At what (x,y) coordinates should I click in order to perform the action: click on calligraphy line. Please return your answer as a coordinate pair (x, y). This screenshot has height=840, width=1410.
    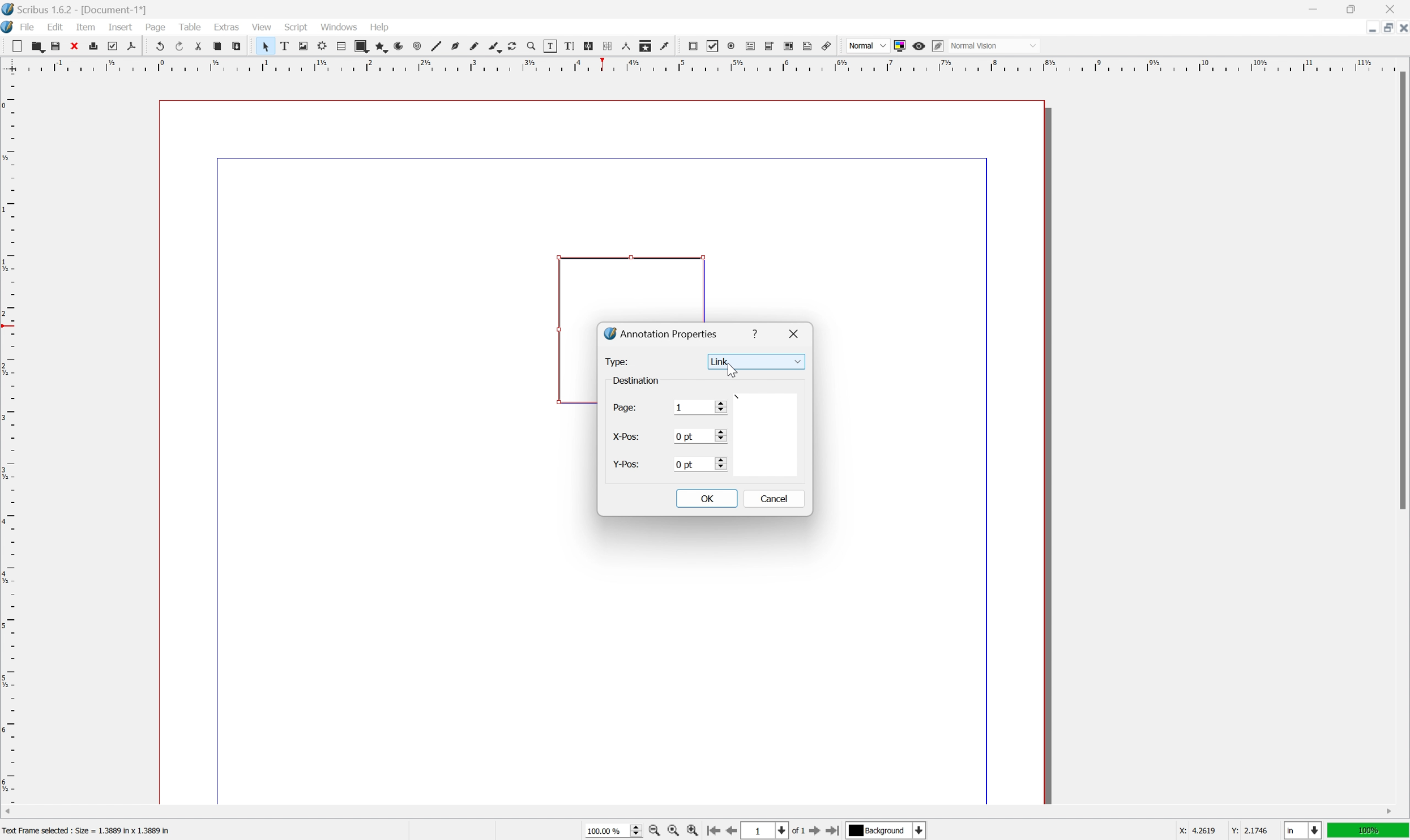
    Looking at the image, I should click on (494, 46).